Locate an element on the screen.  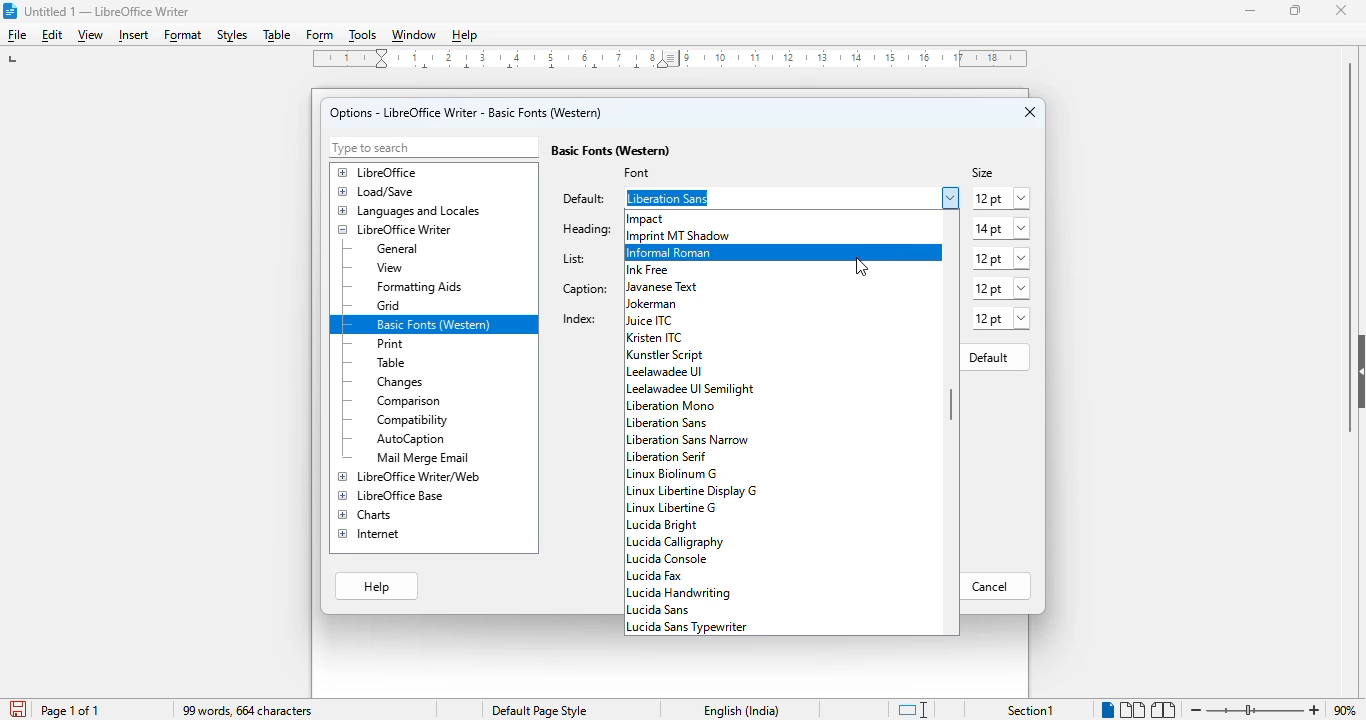
center tab is located at coordinates (642, 71).